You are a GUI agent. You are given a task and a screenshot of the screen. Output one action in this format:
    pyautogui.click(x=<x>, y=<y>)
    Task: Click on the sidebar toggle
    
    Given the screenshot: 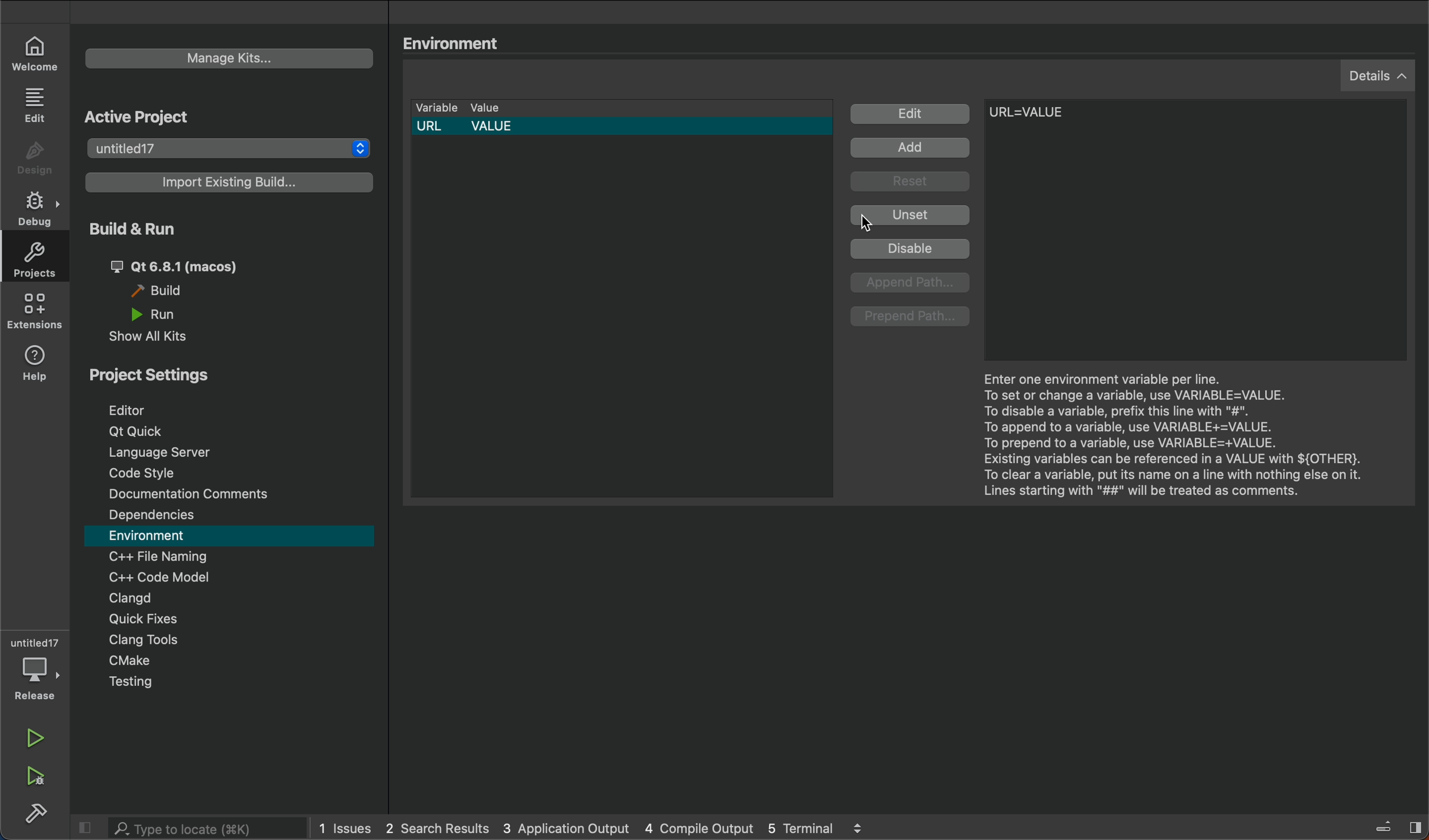 What is the action you would take?
    pyautogui.click(x=1393, y=826)
    